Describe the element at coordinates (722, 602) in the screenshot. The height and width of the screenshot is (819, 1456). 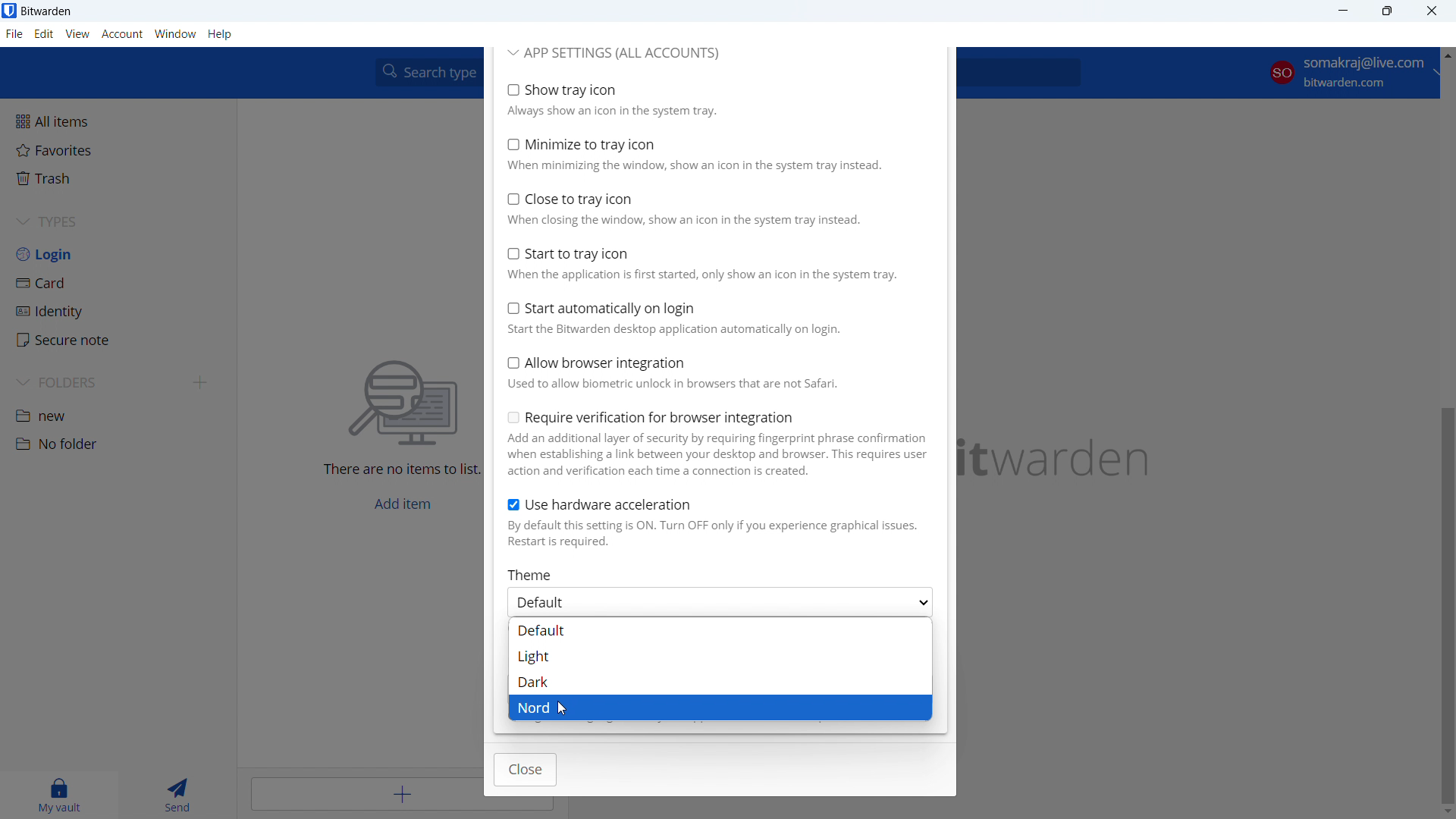
I see `Select theme` at that location.